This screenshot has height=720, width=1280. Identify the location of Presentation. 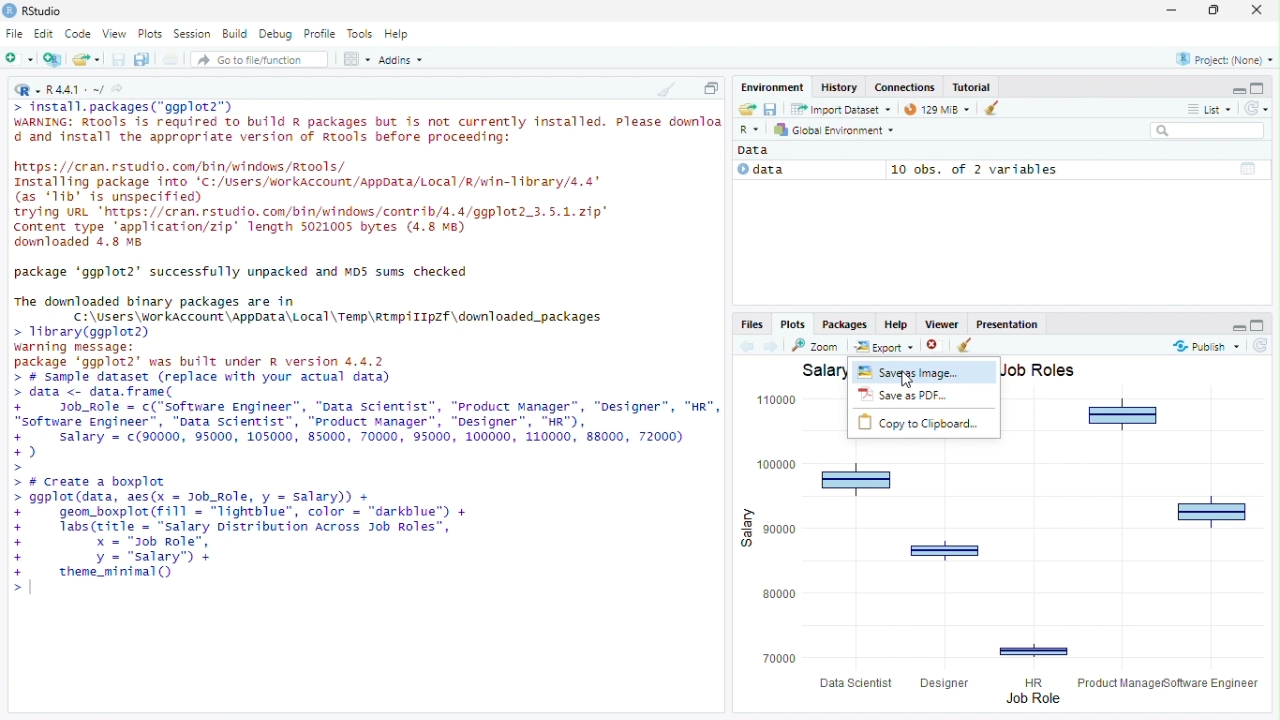
(1007, 323).